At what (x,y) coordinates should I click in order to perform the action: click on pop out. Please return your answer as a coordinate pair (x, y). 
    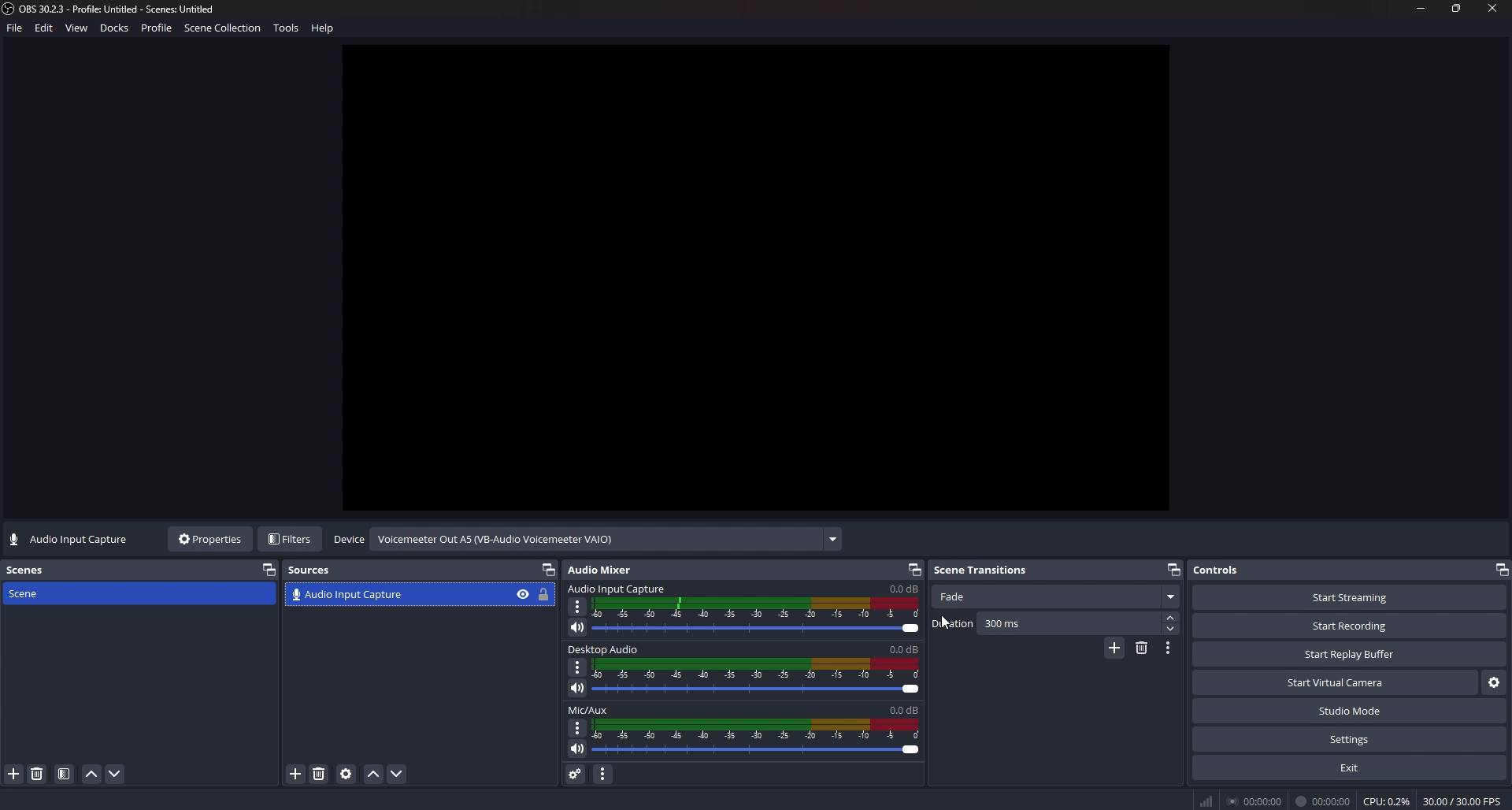
    Looking at the image, I should click on (1174, 568).